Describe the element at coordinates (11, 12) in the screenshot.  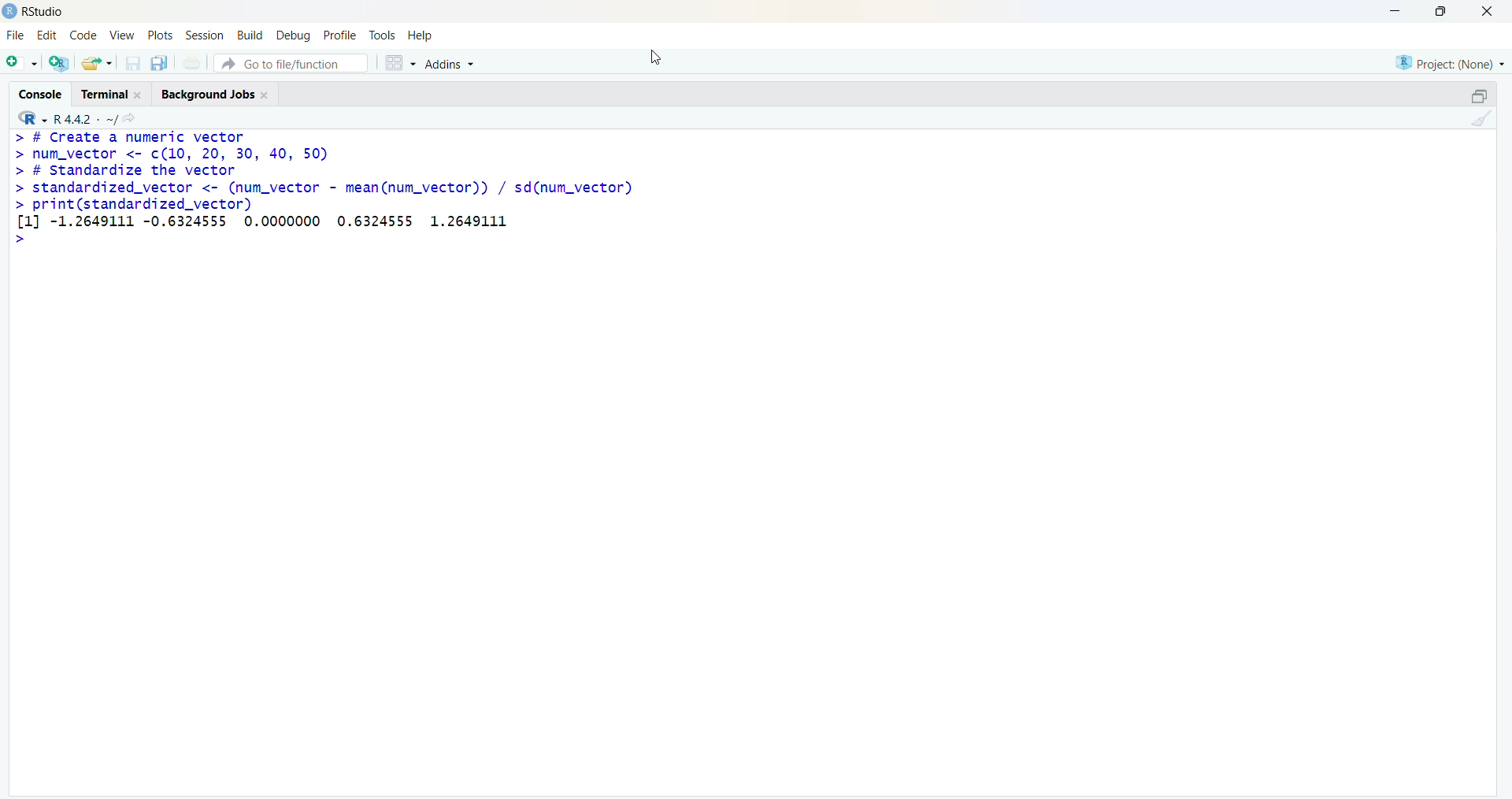
I see `logo` at that location.